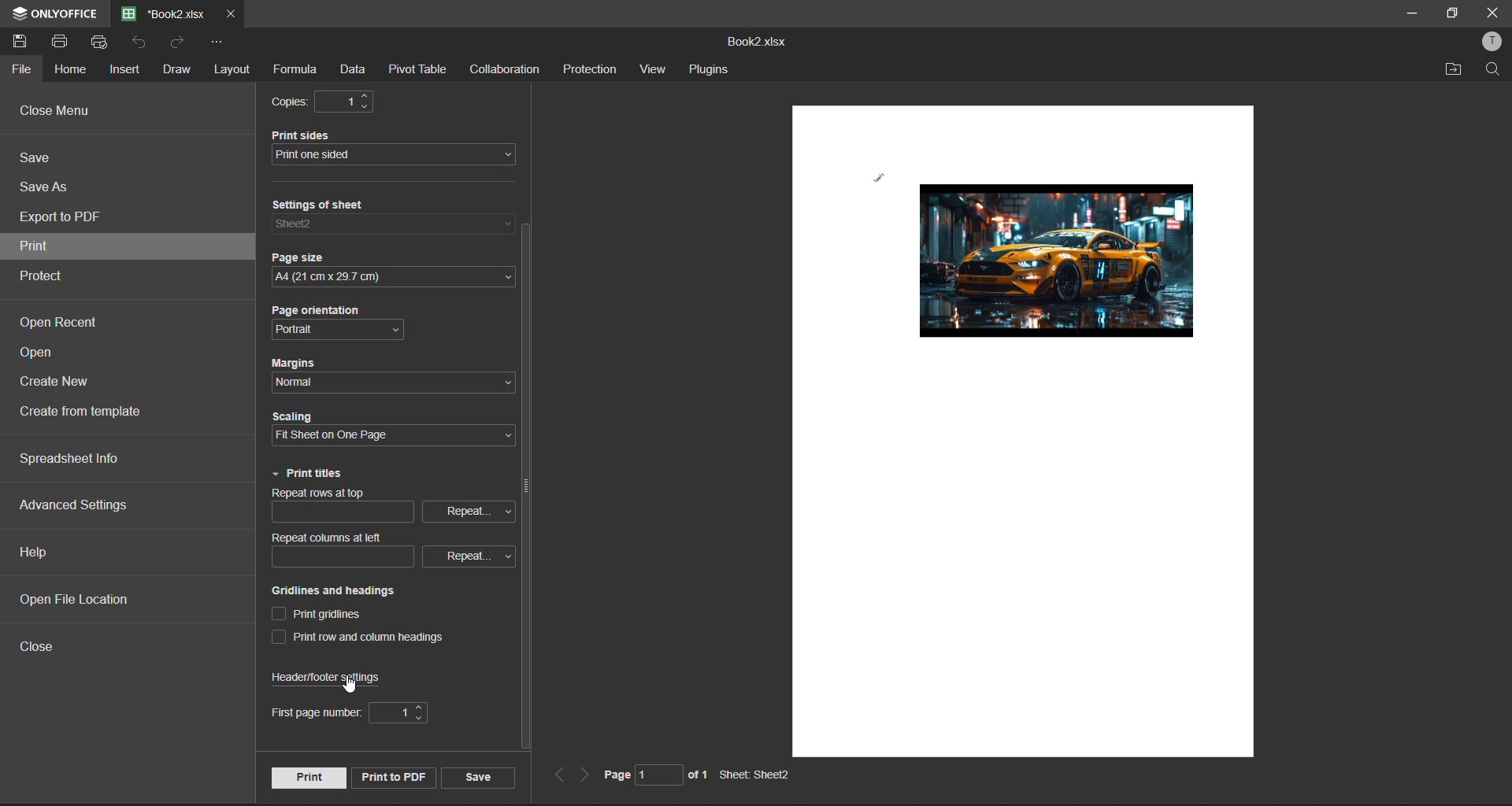 The height and width of the screenshot is (806, 1512). I want to click on spreadsheet info, so click(70, 460).